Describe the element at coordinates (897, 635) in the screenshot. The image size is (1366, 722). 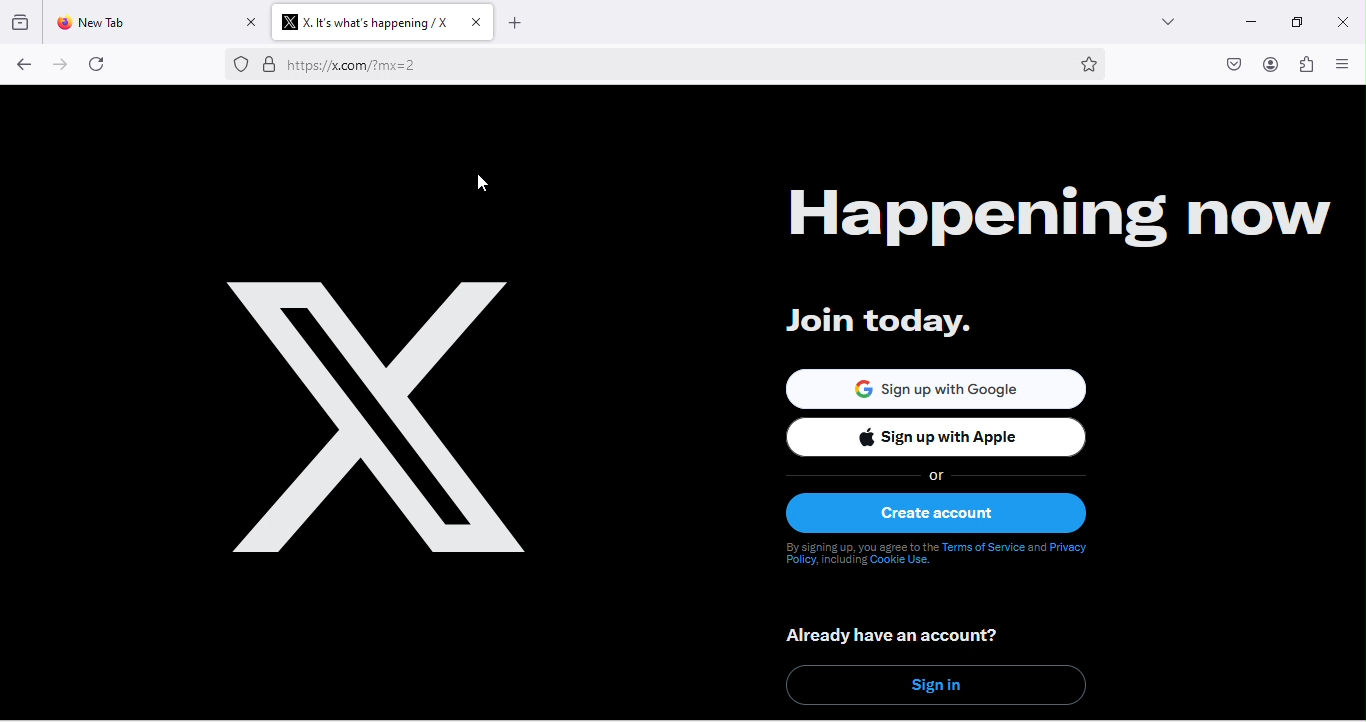
I see `already have an account` at that location.